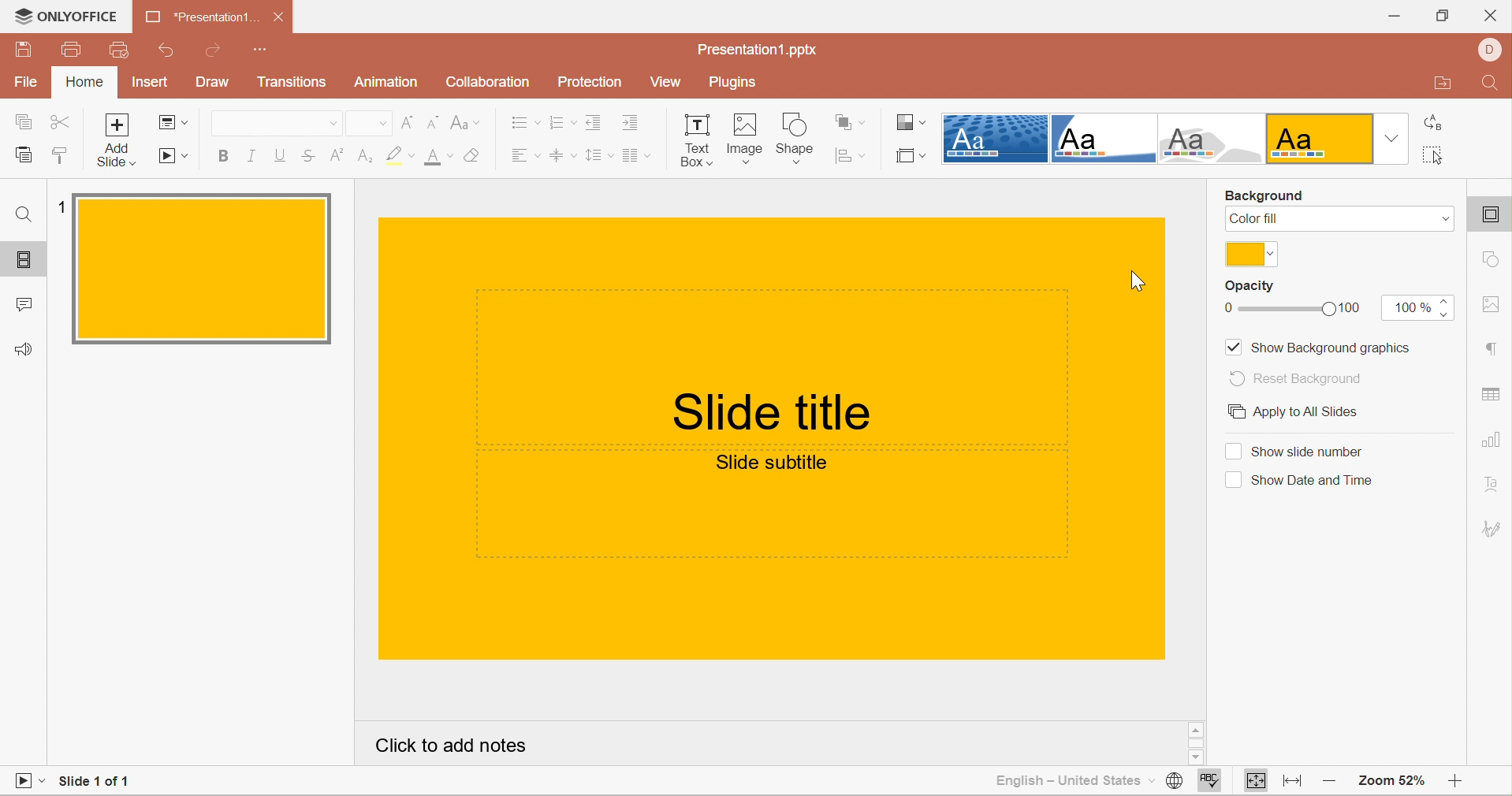  I want to click on Show date and time, so click(1298, 481).